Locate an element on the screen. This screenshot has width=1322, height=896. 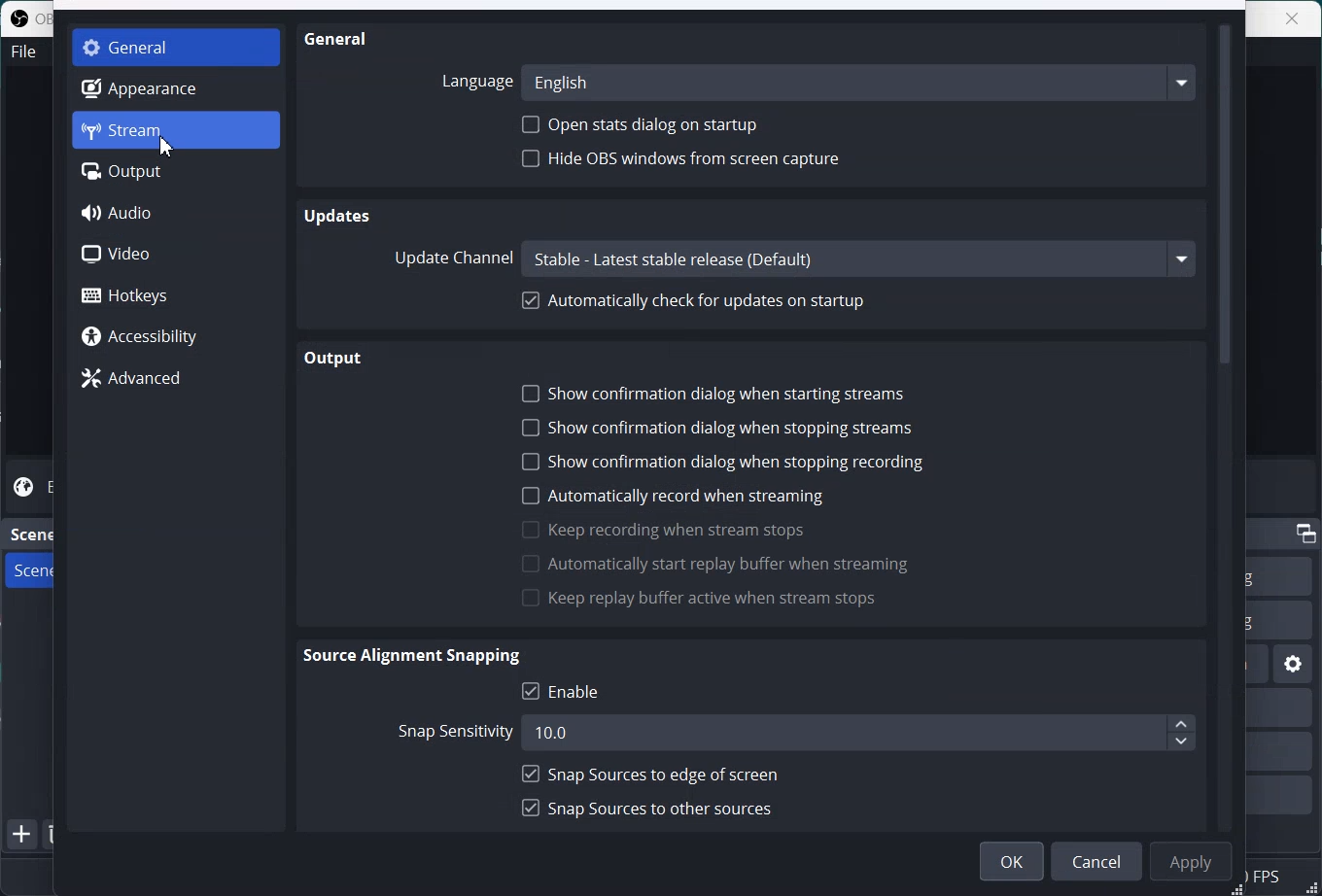
Cancel is located at coordinates (1100, 860).